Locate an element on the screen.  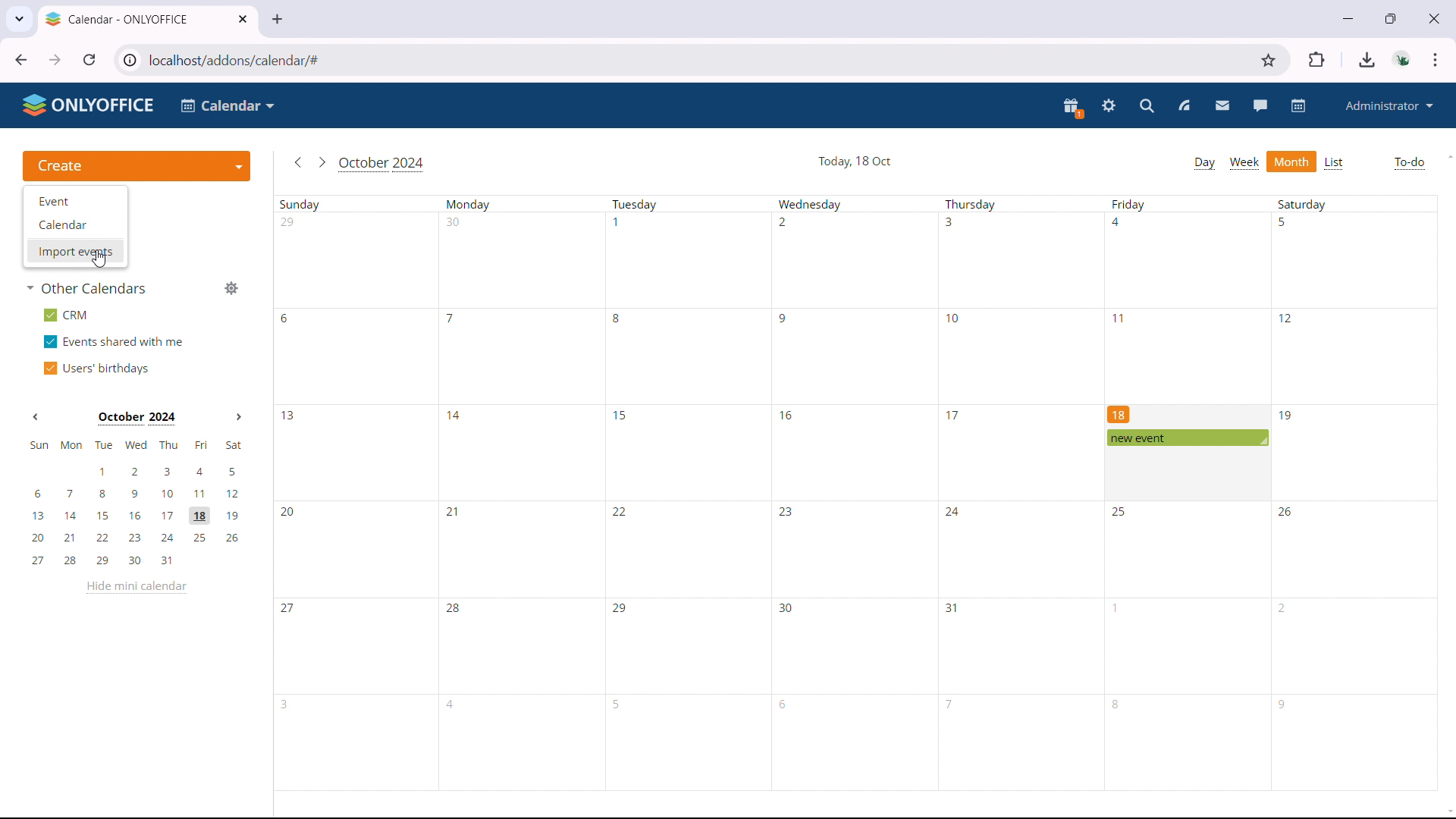
1 is located at coordinates (617, 221).